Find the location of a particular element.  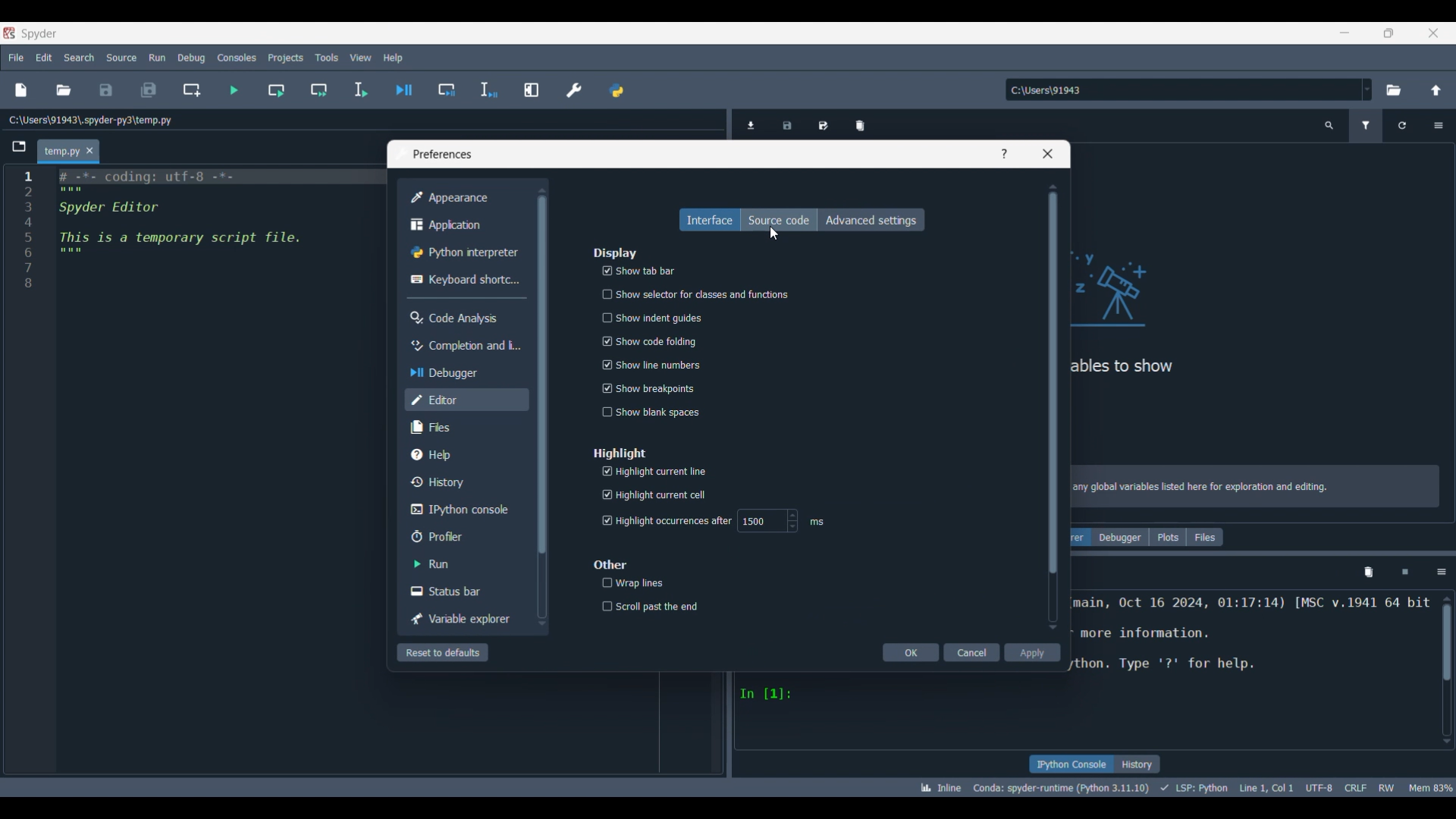

Search menu is located at coordinates (79, 58).